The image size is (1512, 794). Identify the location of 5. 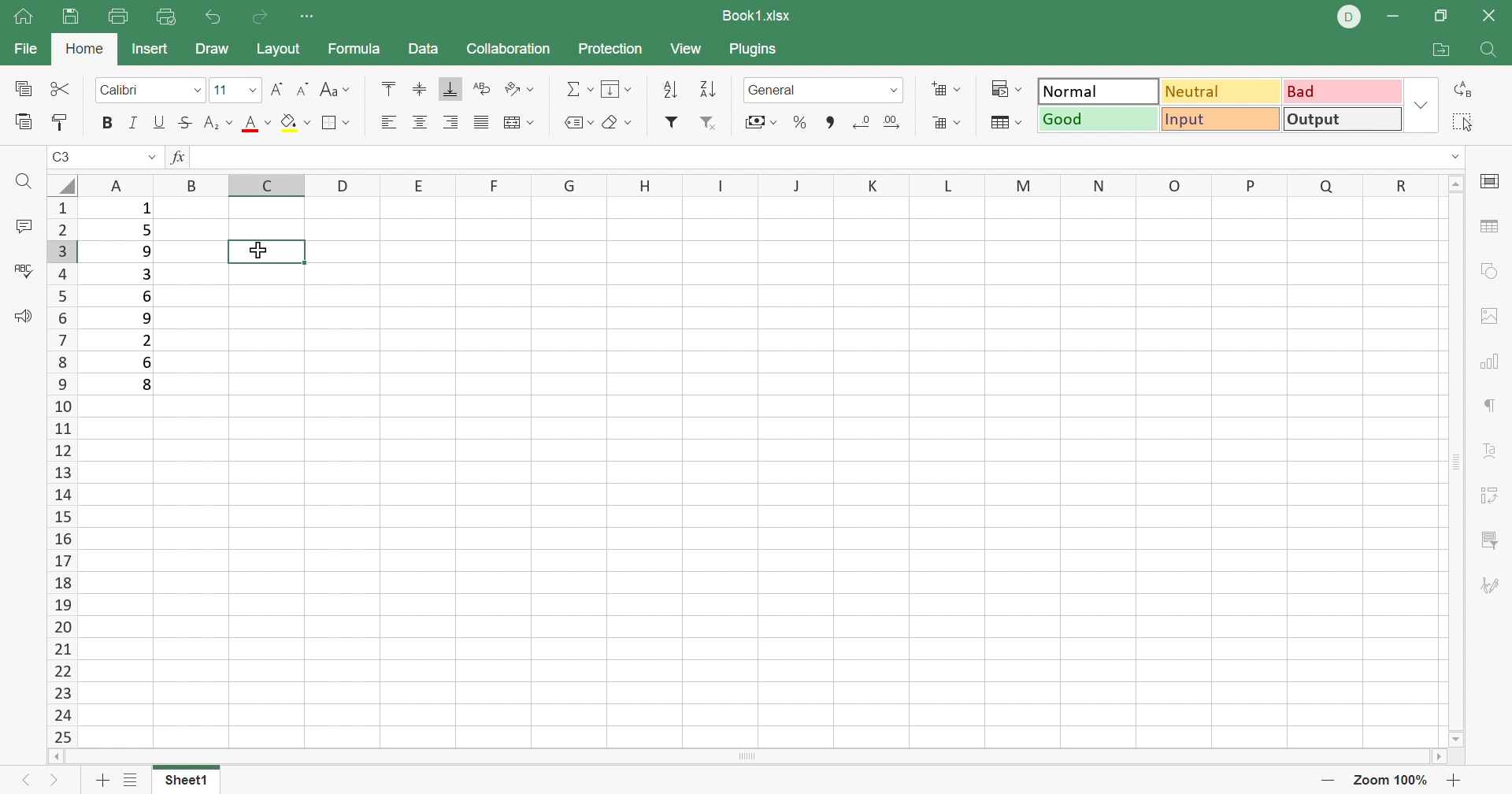
(145, 233).